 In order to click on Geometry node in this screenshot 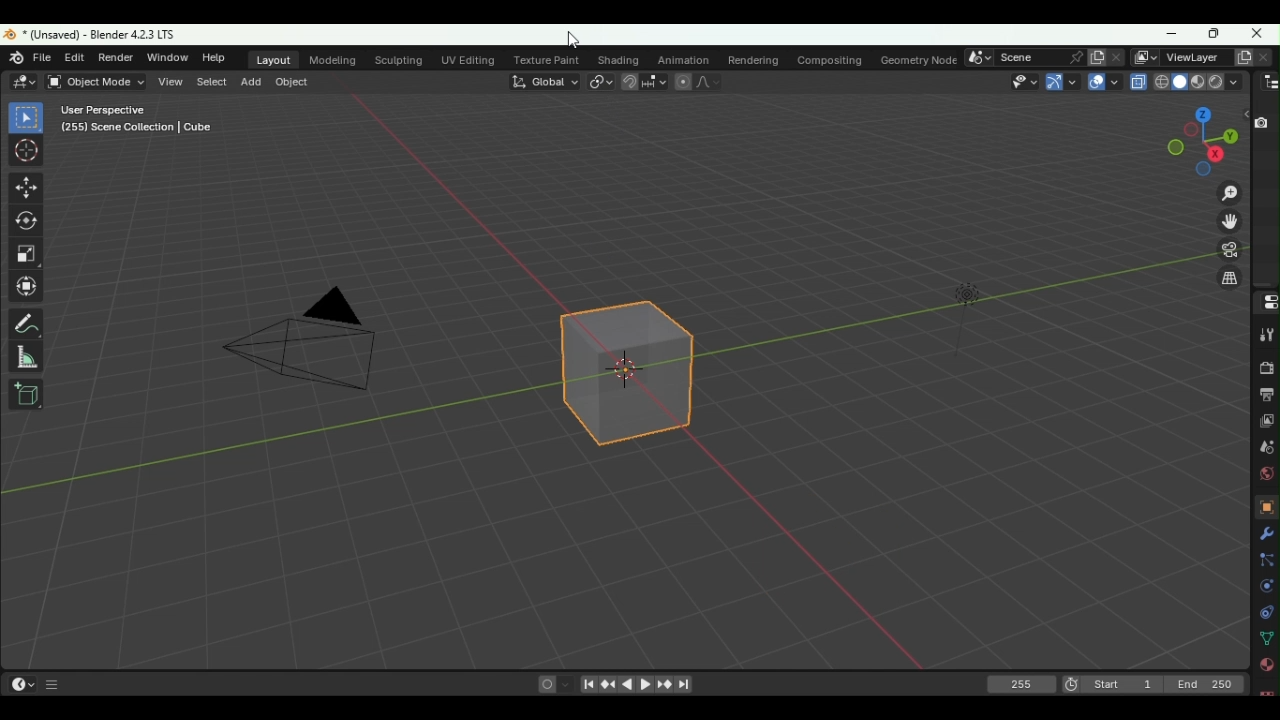, I will do `click(922, 57)`.